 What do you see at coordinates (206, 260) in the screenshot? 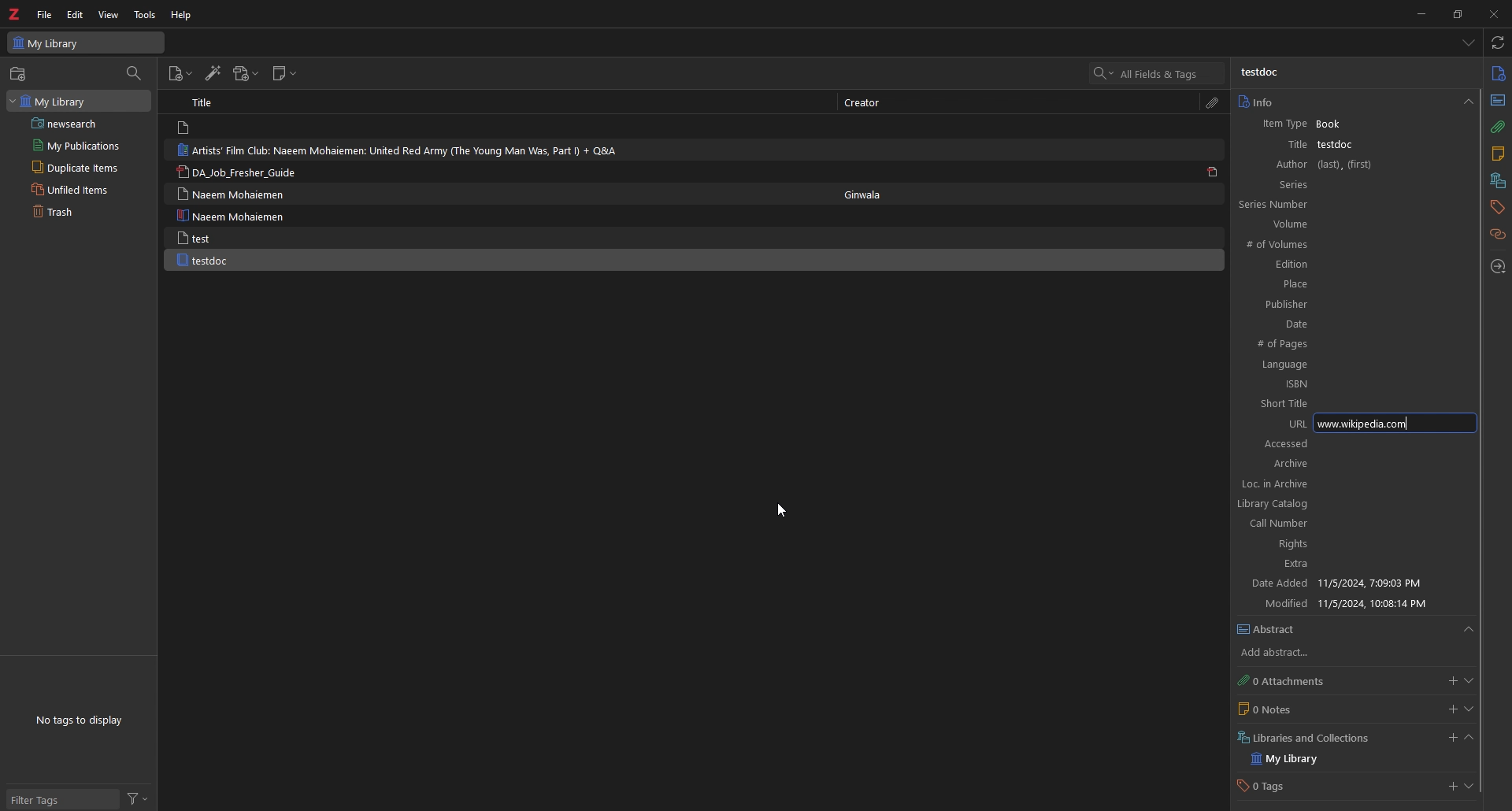
I see `testdoc` at bounding box center [206, 260].